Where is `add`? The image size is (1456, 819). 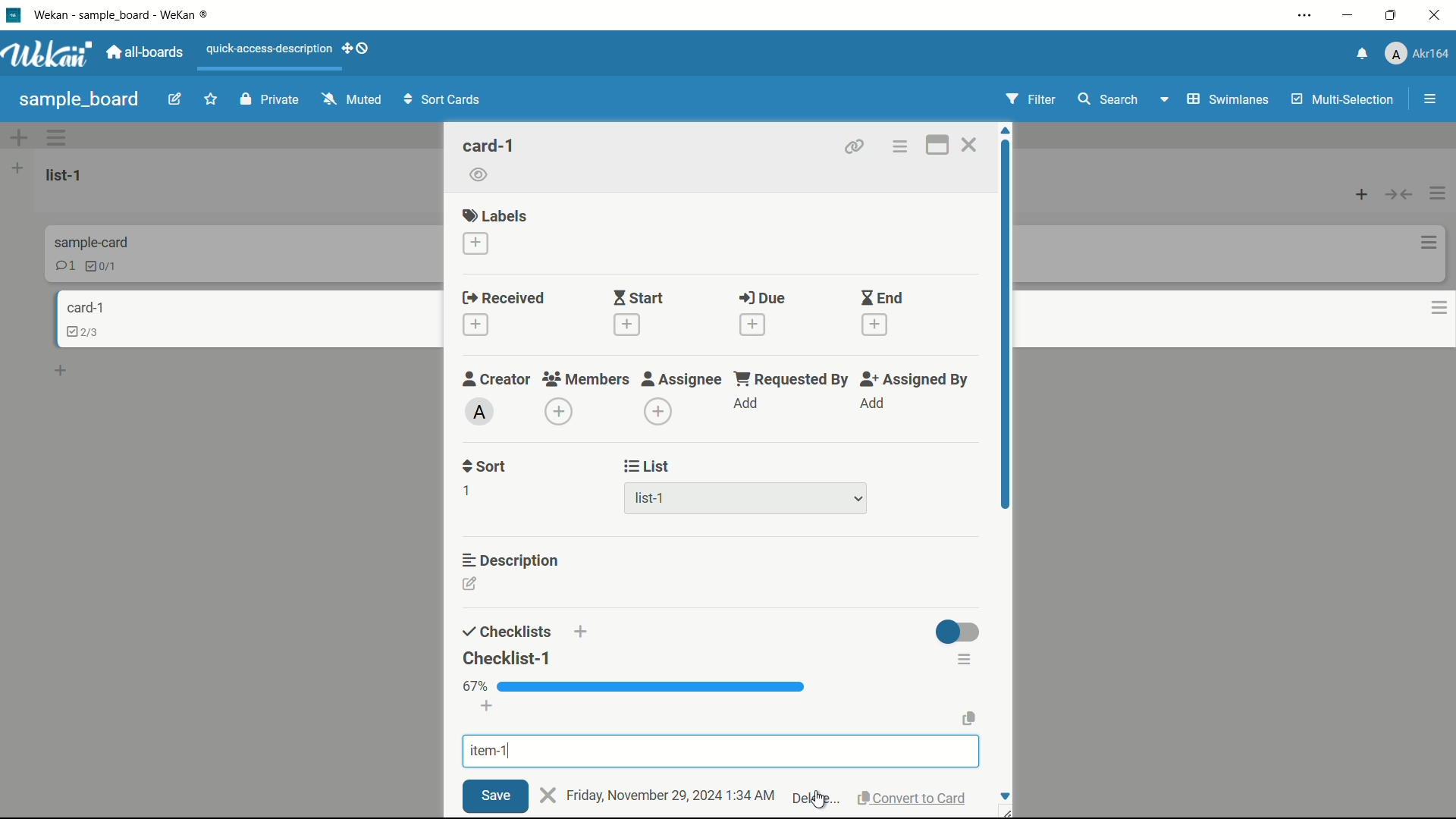 add is located at coordinates (874, 406).